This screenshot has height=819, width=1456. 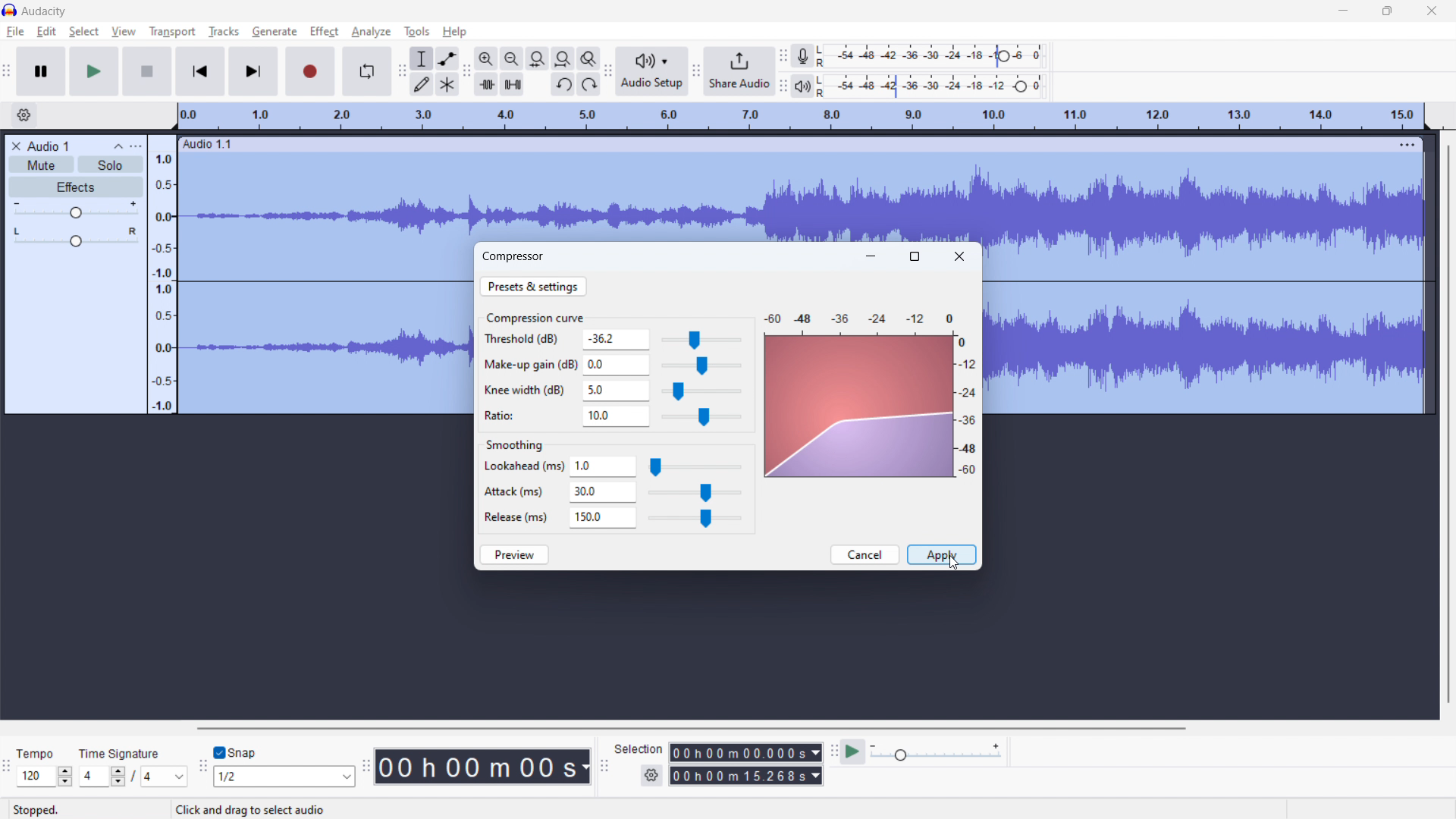 What do you see at coordinates (41, 71) in the screenshot?
I see `pause` at bounding box center [41, 71].